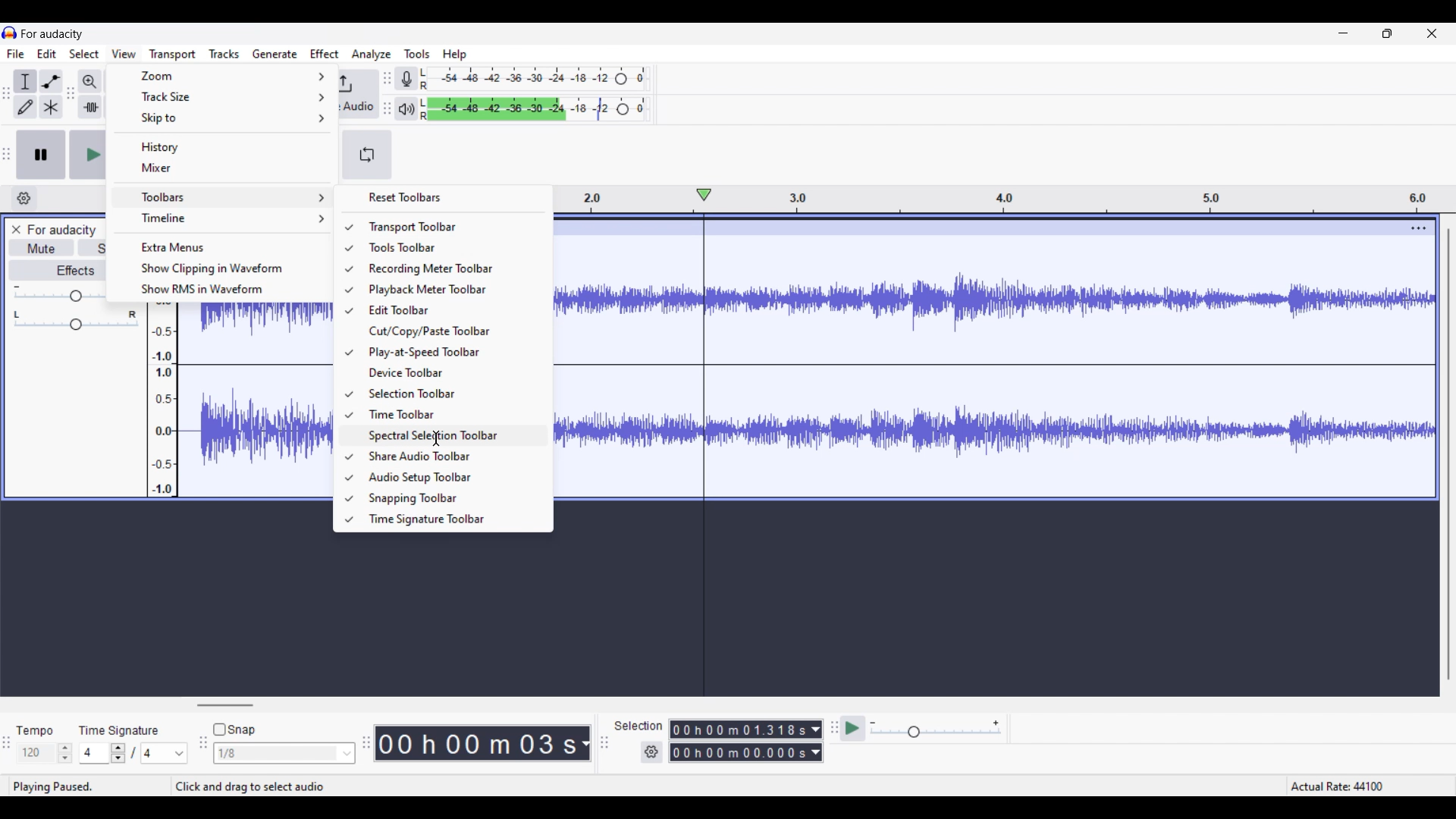  I want to click on Trasport menu, so click(173, 55).